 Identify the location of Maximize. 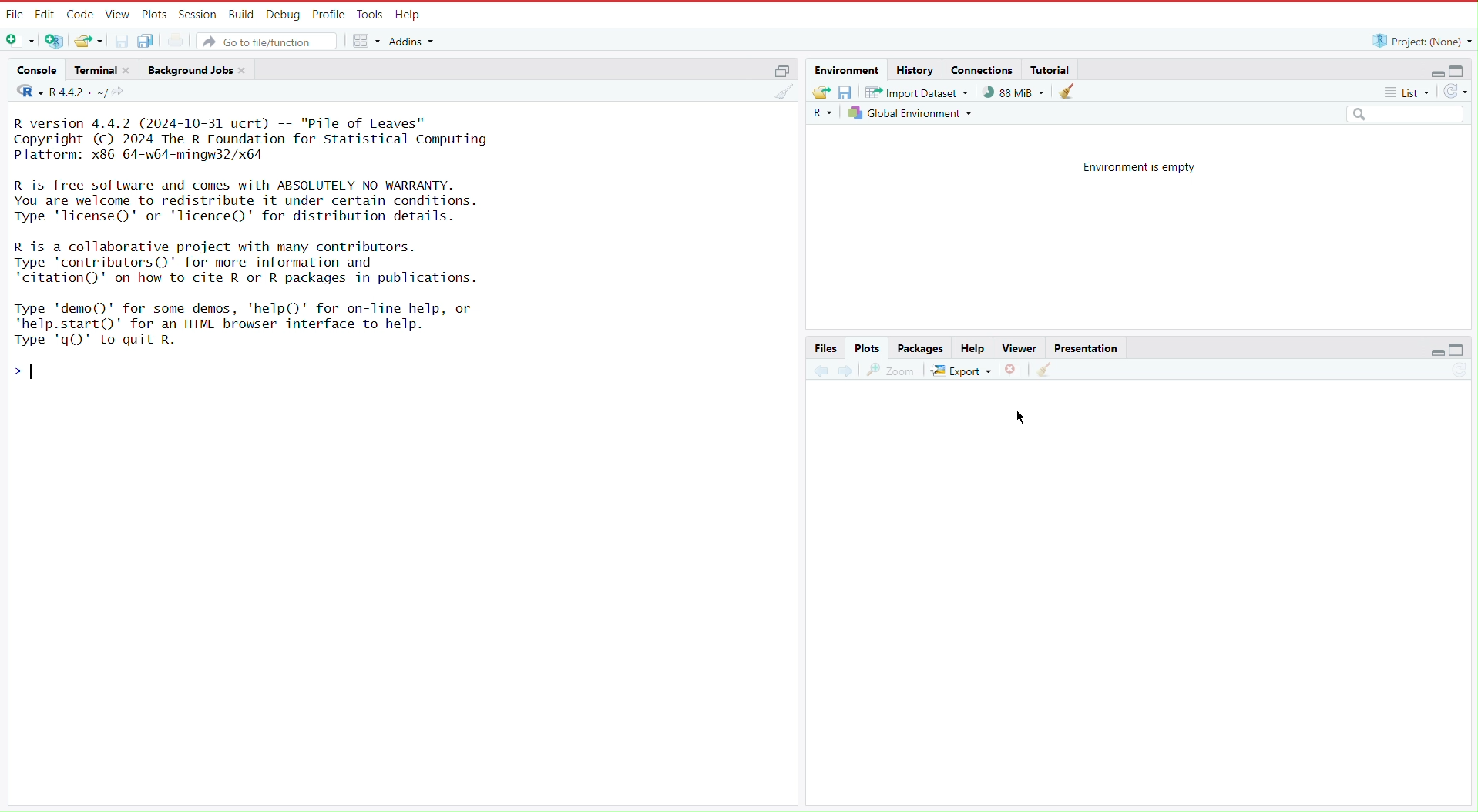
(1459, 70).